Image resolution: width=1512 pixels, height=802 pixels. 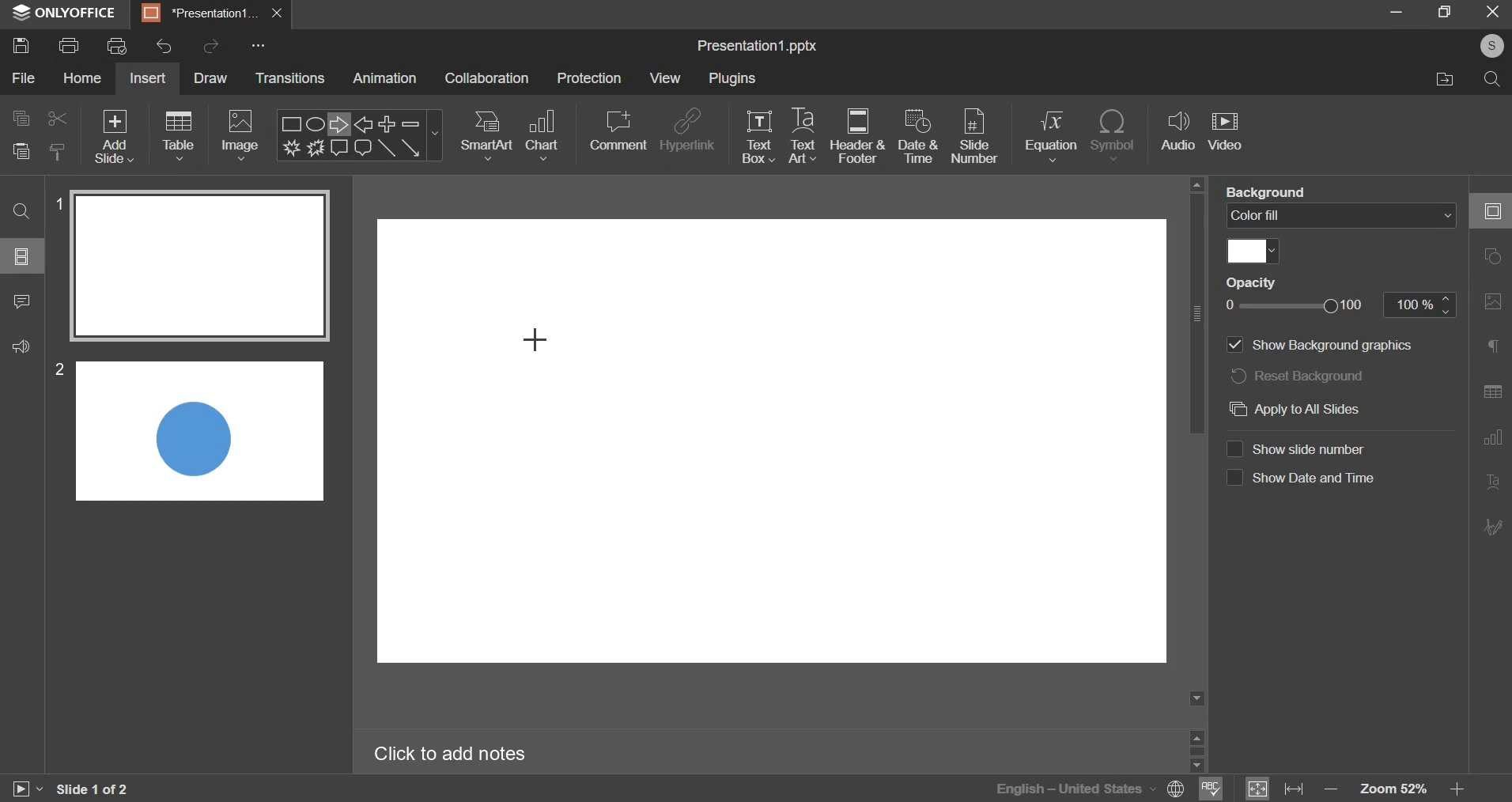 What do you see at coordinates (117, 44) in the screenshot?
I see `print preview` at bounding box center [117, 44].